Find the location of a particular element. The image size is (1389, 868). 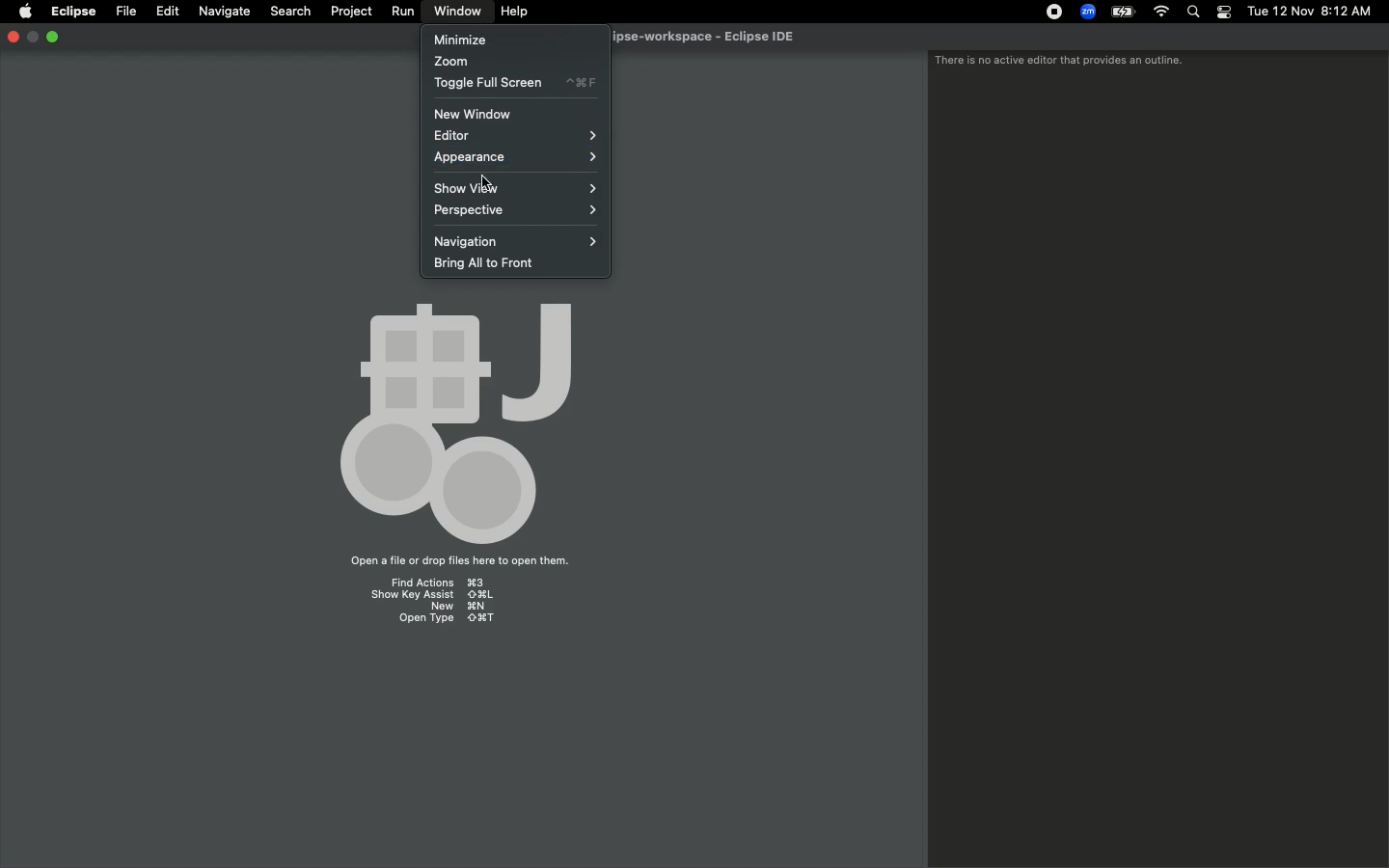

Edit is located at coordinates (165, 10).